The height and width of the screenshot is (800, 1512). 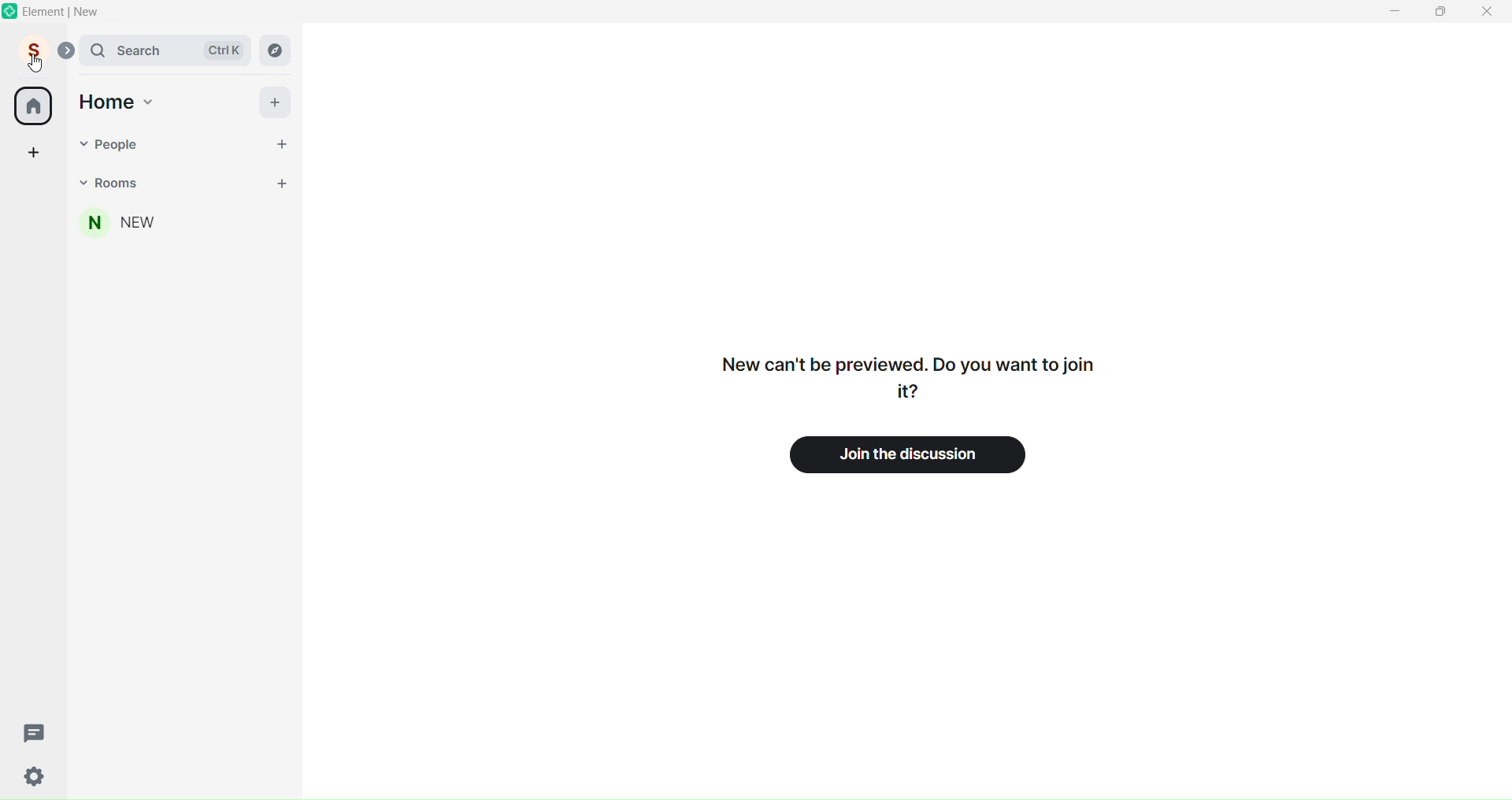 What do you see at coordinates (276, 51) in the screenshot?
I see `Explore rooms` at bounding box center [276, 51].